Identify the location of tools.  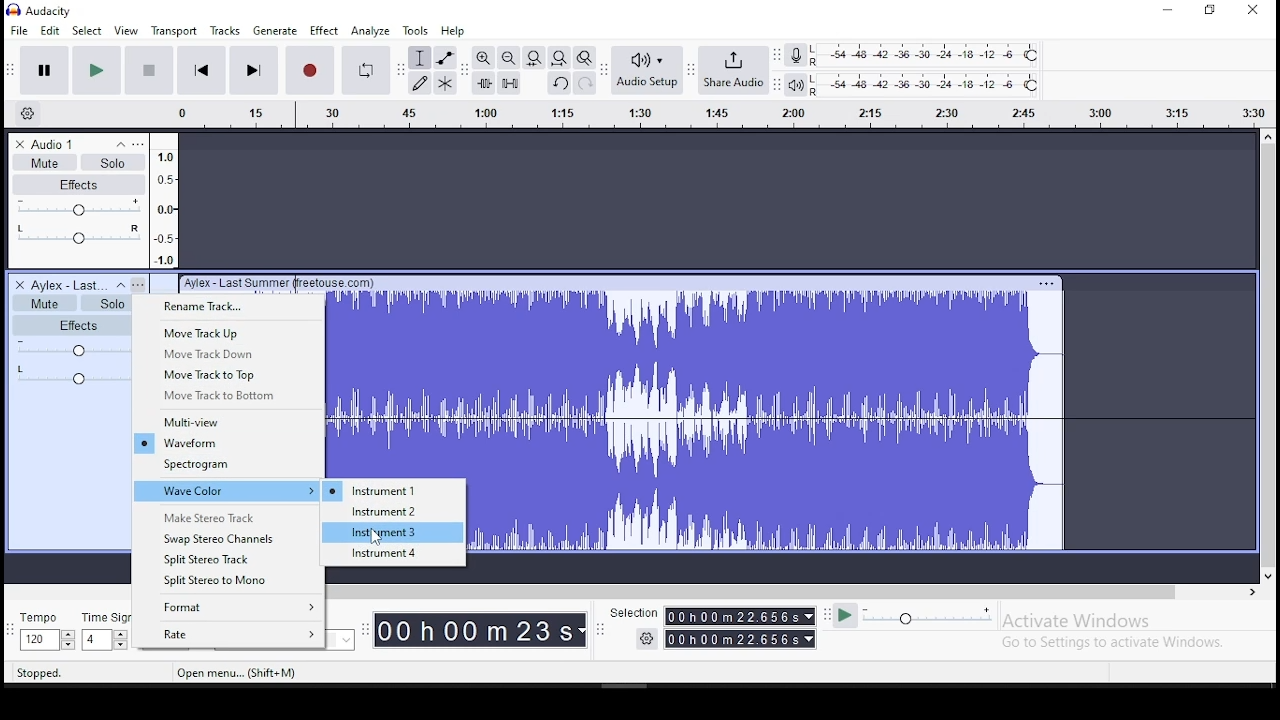
(415, 31).